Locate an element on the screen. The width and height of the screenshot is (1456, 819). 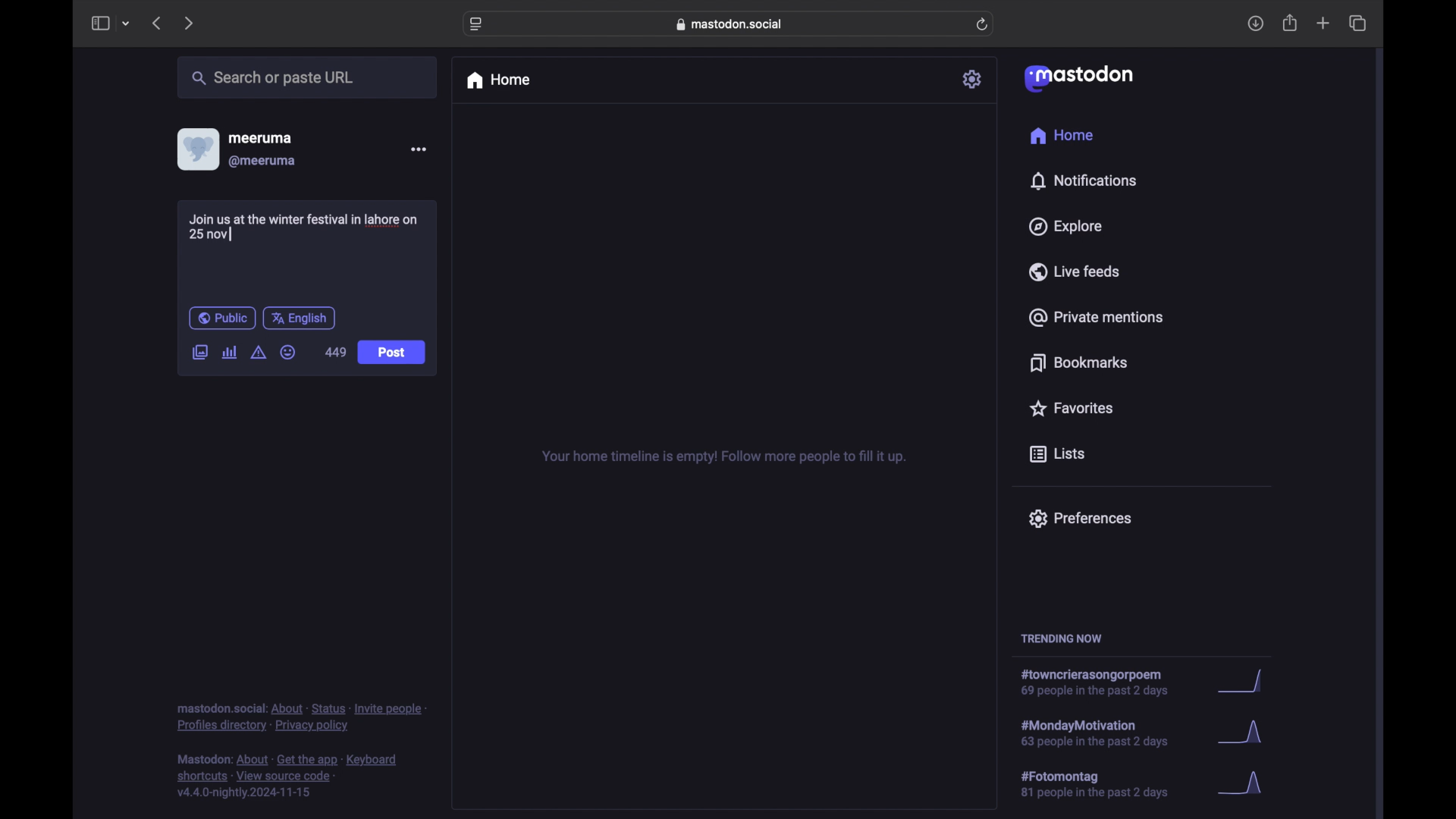
notifications is located at coordinates (1083, 180).